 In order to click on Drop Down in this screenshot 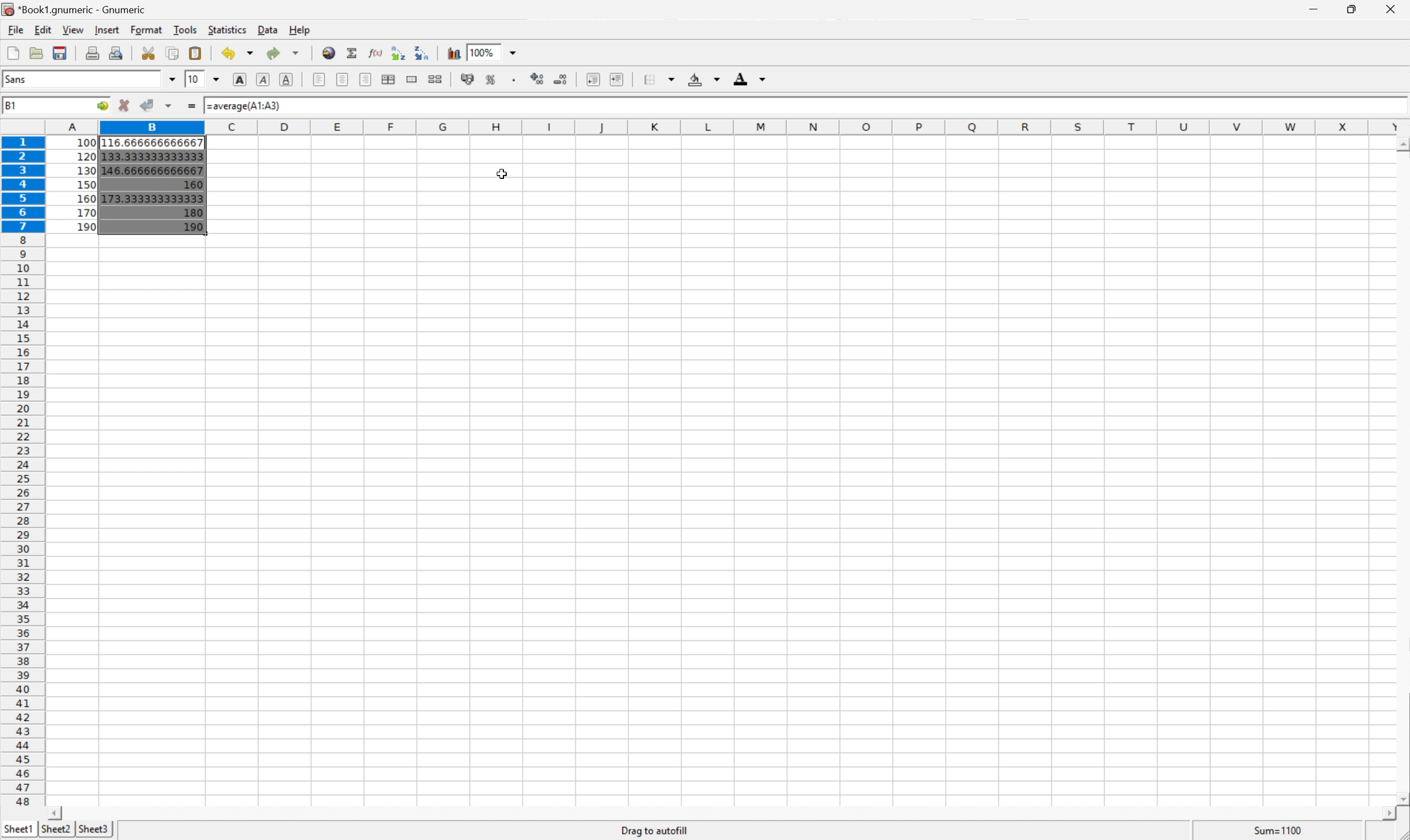, I will do `click(174, 79)`.